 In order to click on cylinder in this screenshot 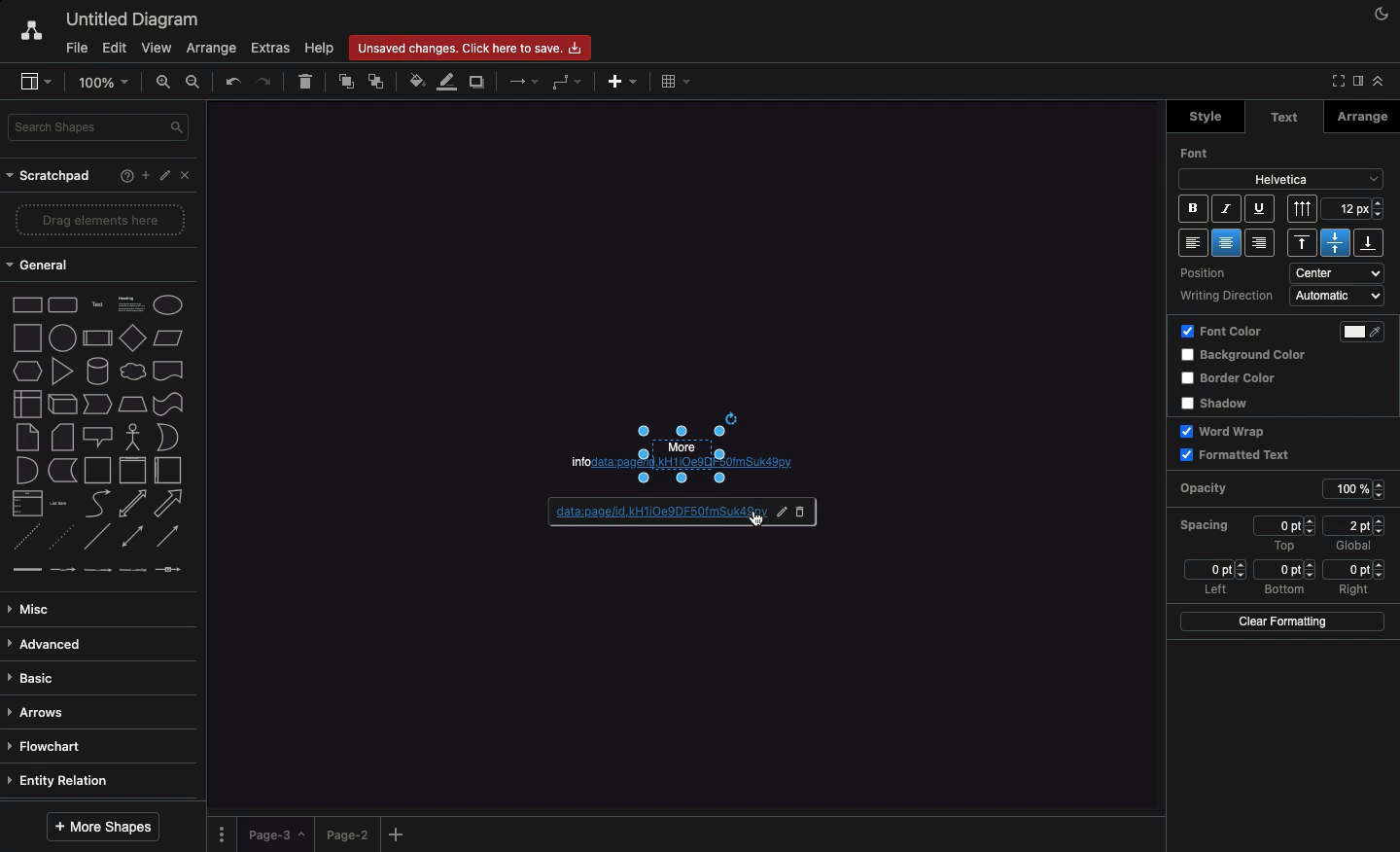, I will do `click(98, 371)`.